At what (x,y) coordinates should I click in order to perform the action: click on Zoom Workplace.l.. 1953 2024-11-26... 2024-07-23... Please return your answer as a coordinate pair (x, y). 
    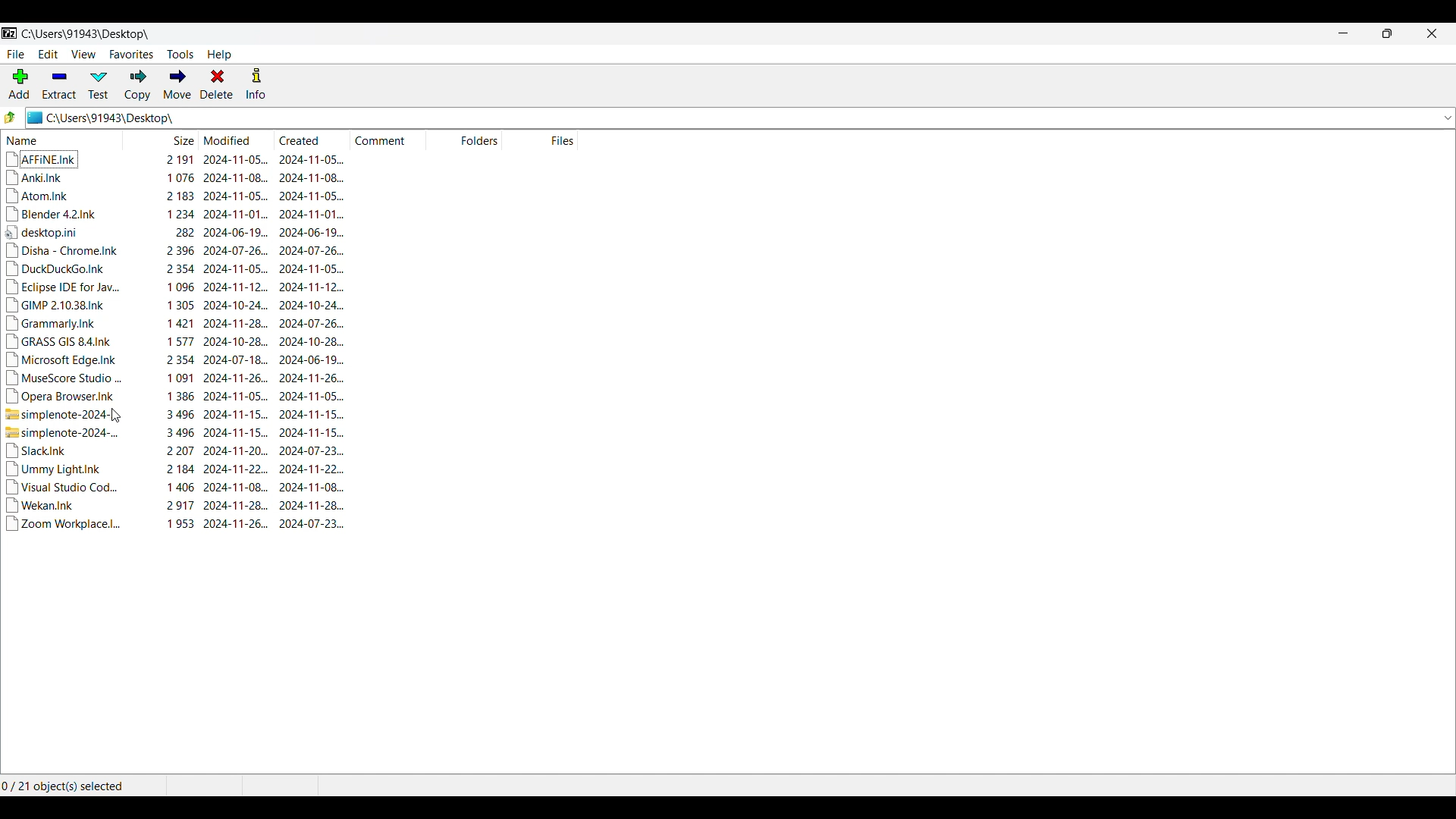
    Looking at the image, I should click on (180, 529).